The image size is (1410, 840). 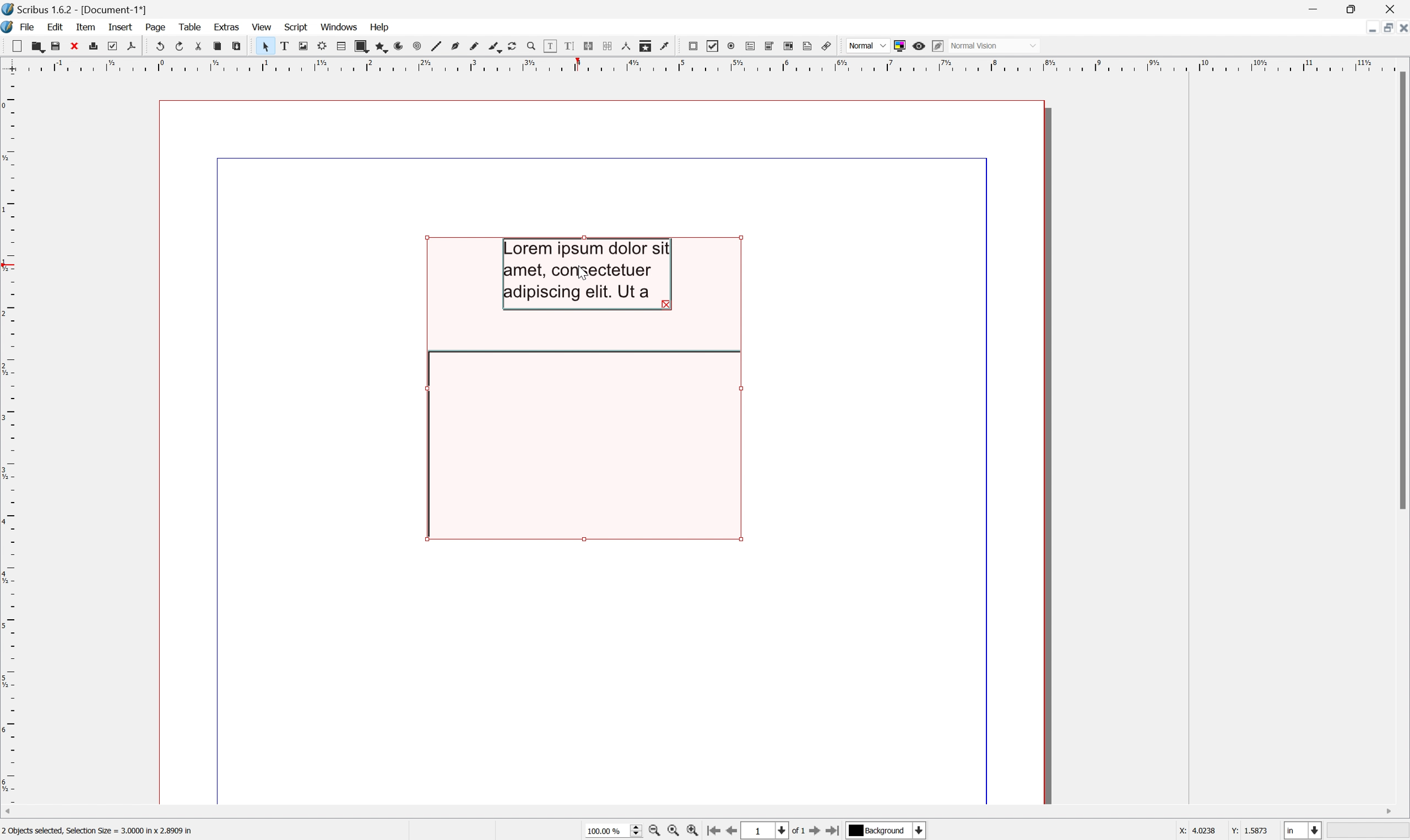 What do you see at coordinates (700, 813) in the screenshot?
I see `Scroll` at bounding box center [700, 813].